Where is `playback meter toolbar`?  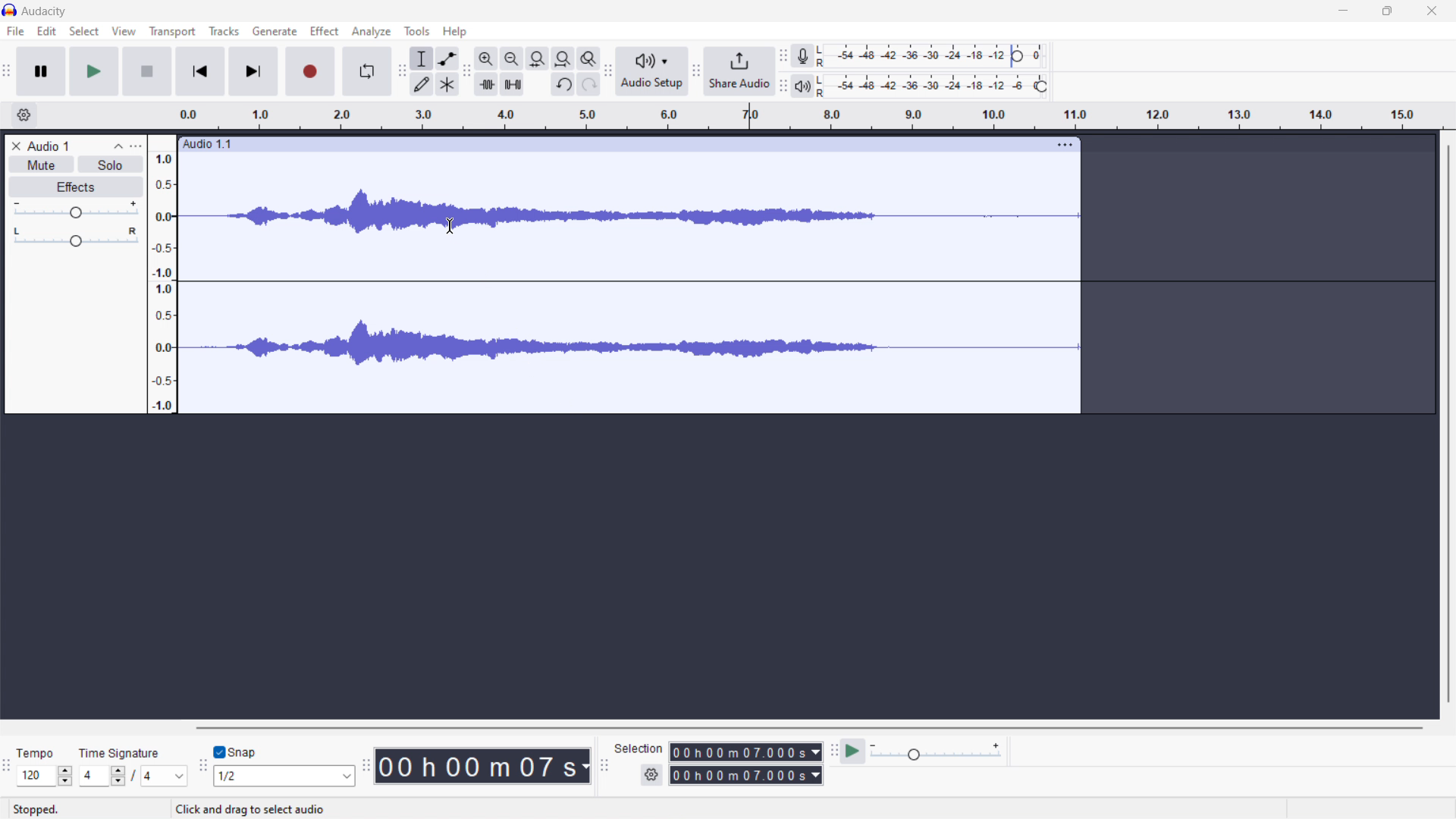
playback meter toolbar is located at coordinates (784, 86).